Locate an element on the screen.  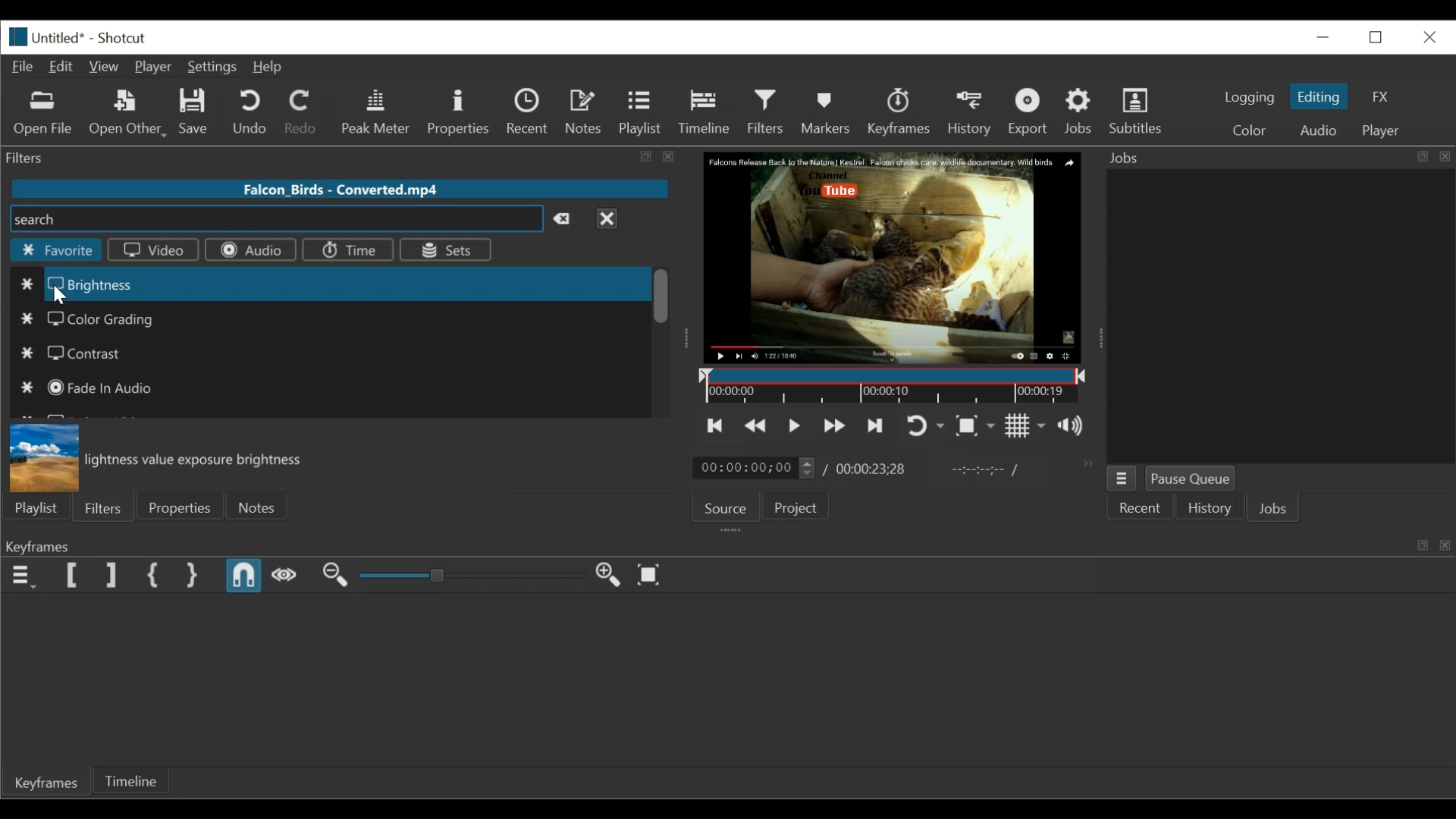
Cursor is located at coordinates (767, 127).